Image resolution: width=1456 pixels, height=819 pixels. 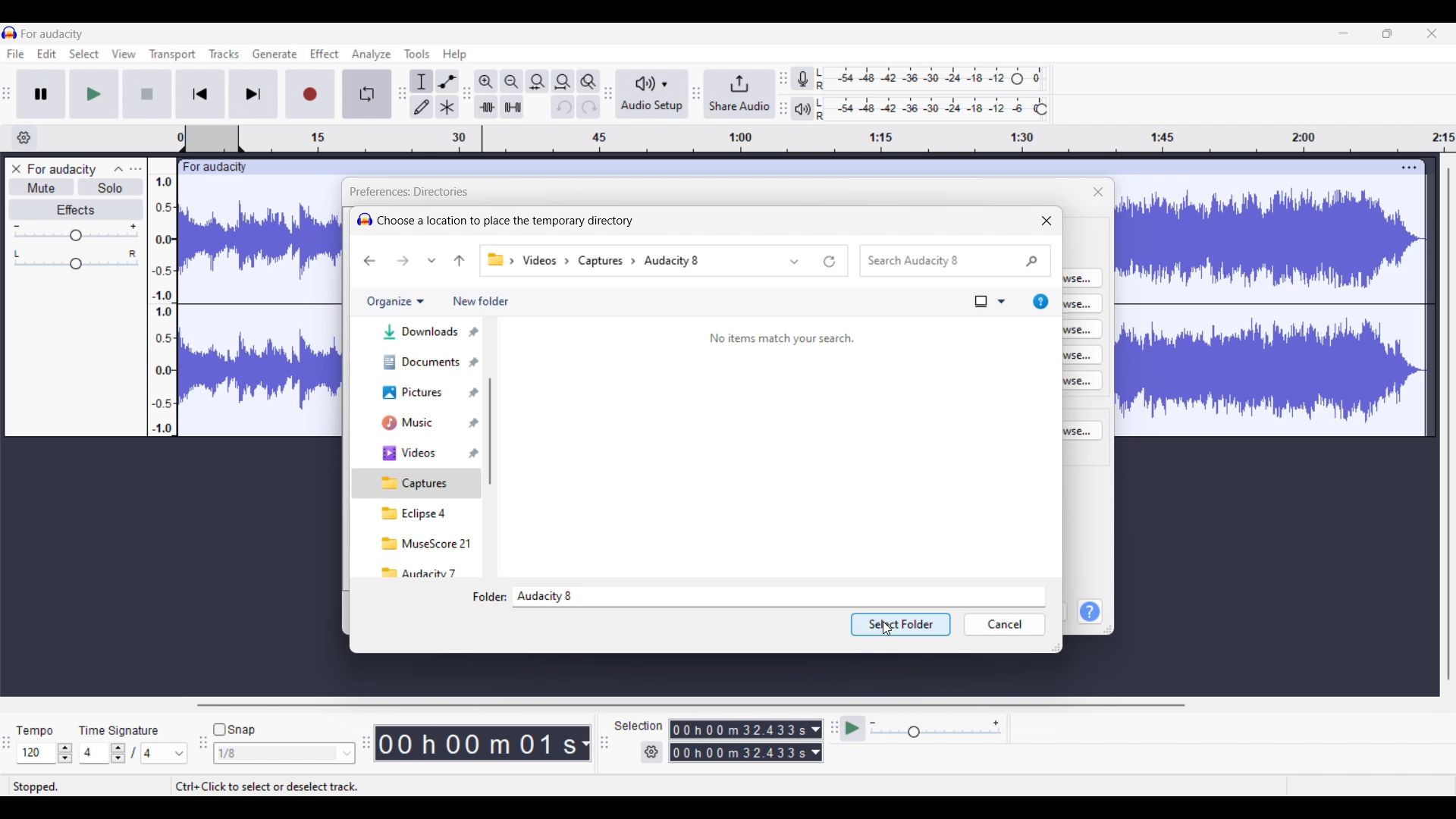 I want to click on Close interface, so click(x=1432, y=33).